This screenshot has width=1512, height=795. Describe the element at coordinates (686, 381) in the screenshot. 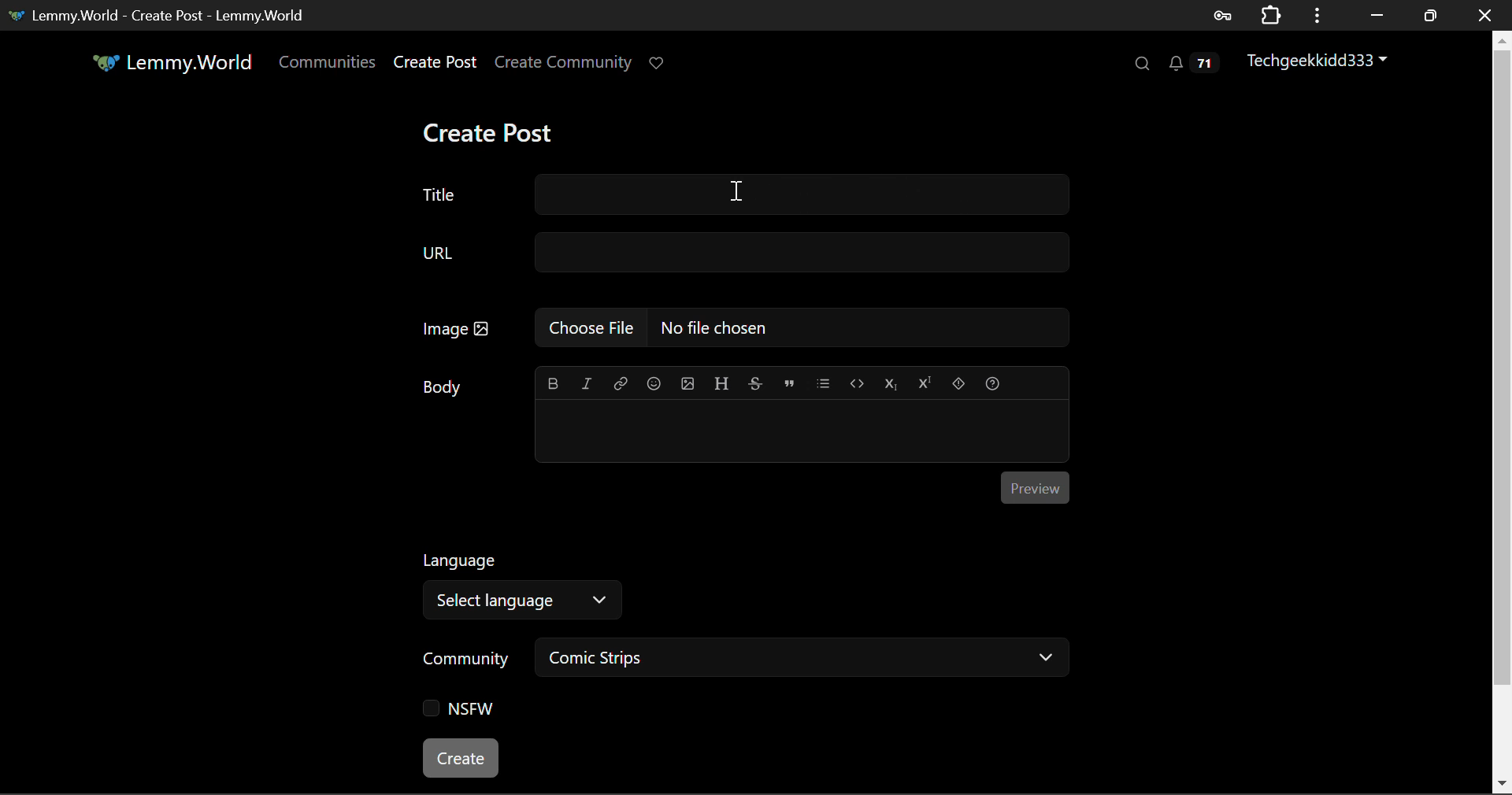

I see `upload image` at that location.